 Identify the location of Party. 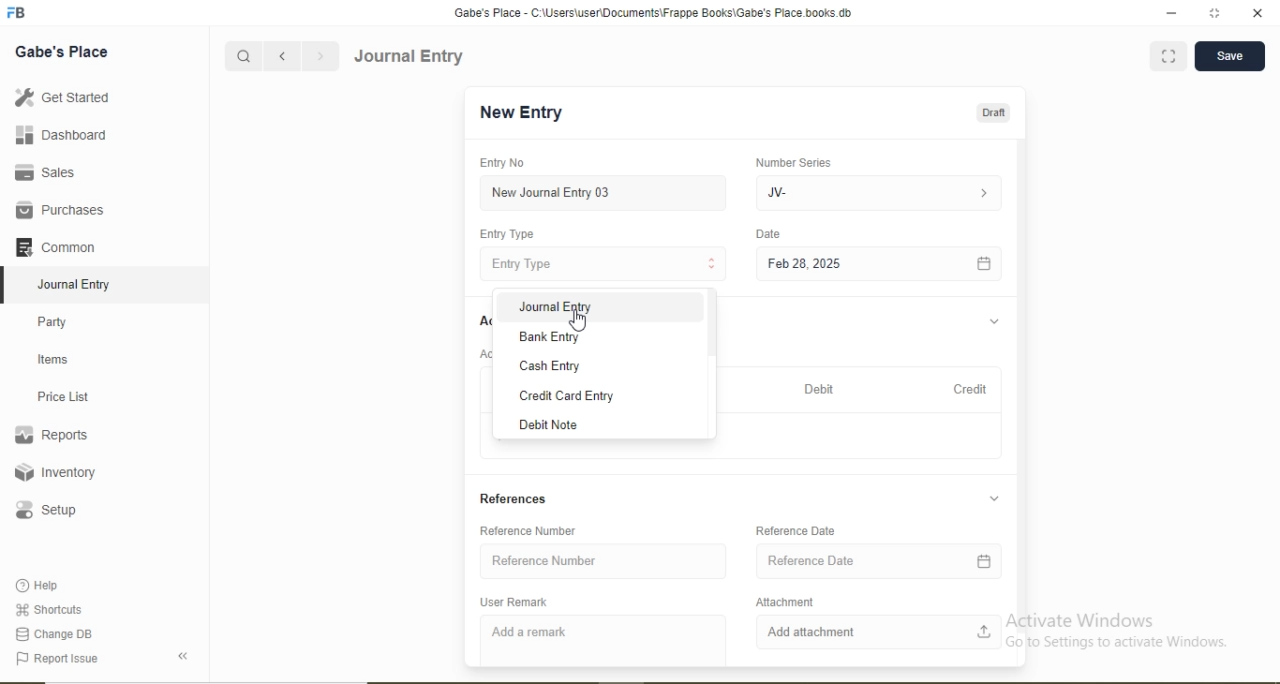
(53, 324).